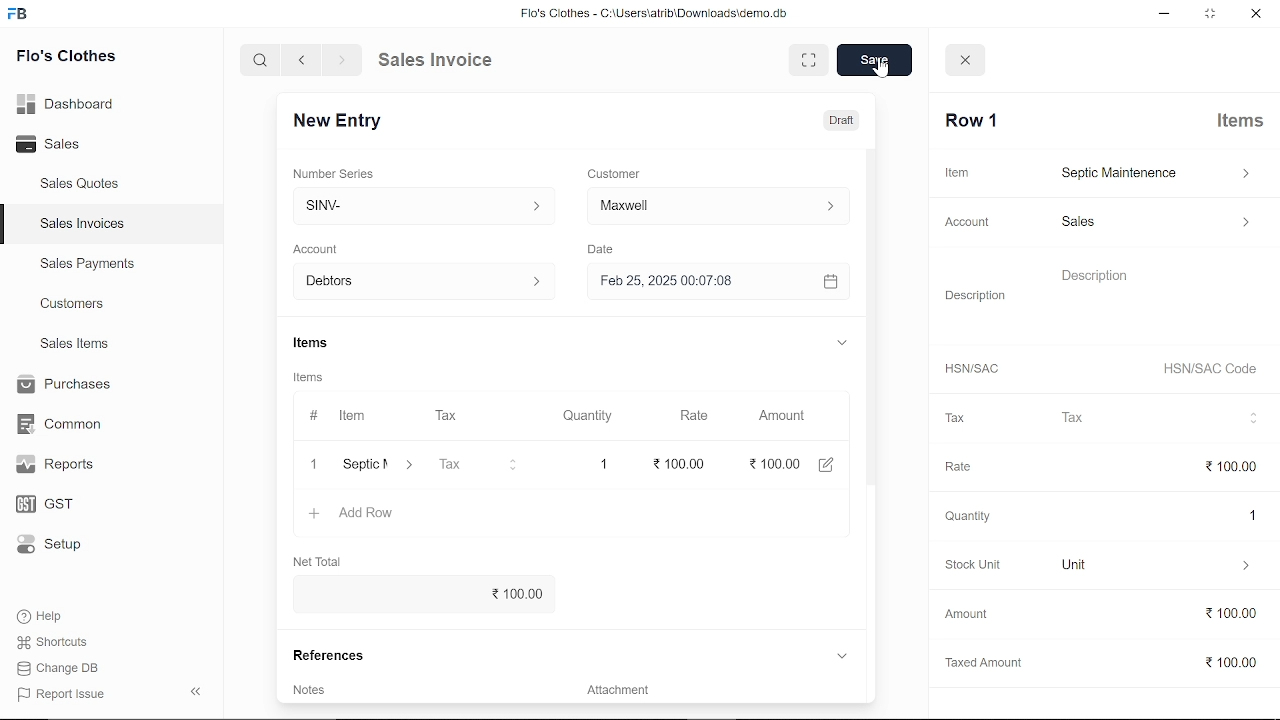 The width and height of the screenshot is (1280, 720). I want to click on References., so click(338, 657).